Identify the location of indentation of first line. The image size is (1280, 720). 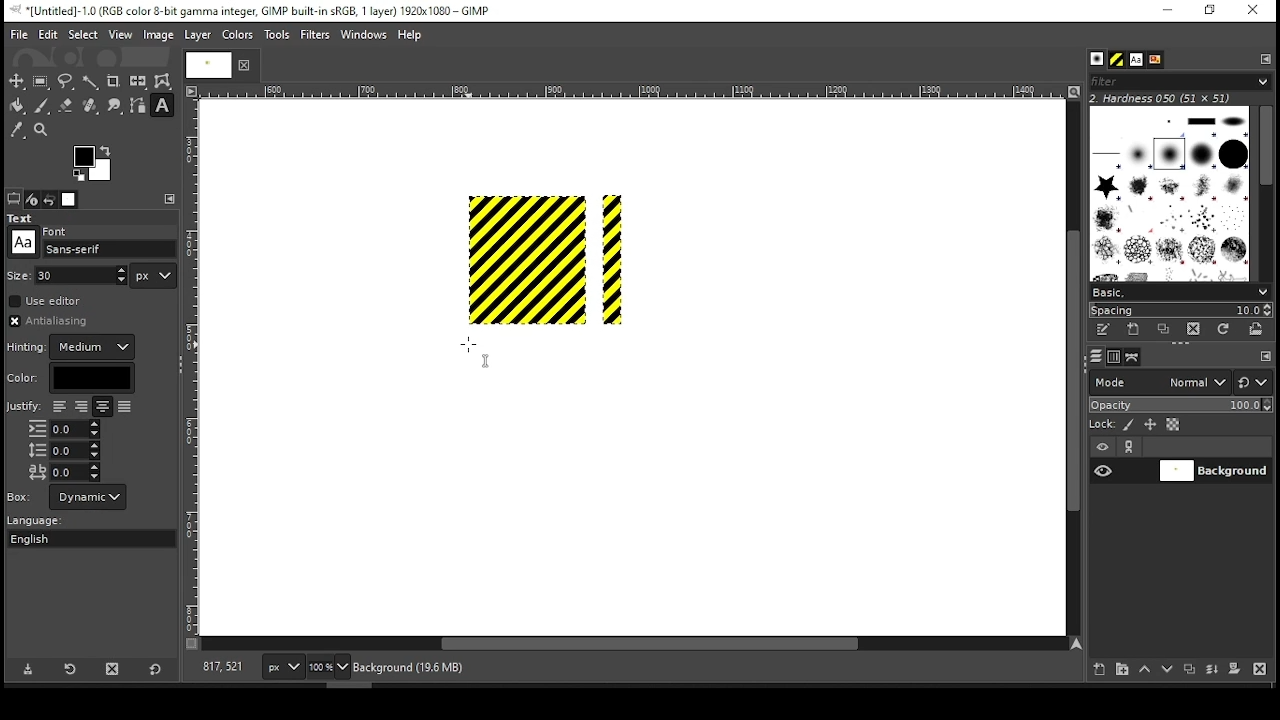
(64, 429).